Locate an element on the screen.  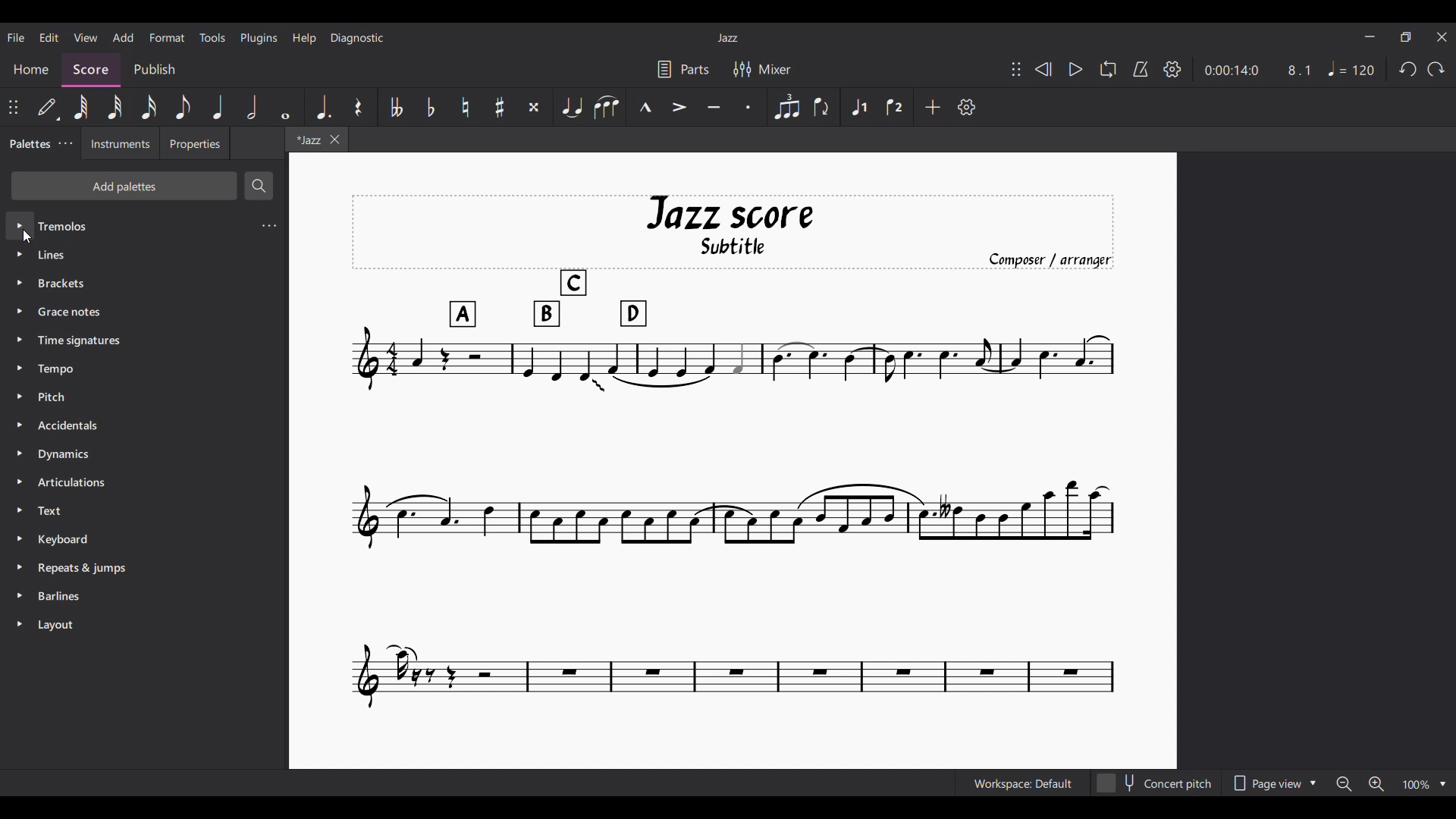
Help is located at coordinates (305, 39).